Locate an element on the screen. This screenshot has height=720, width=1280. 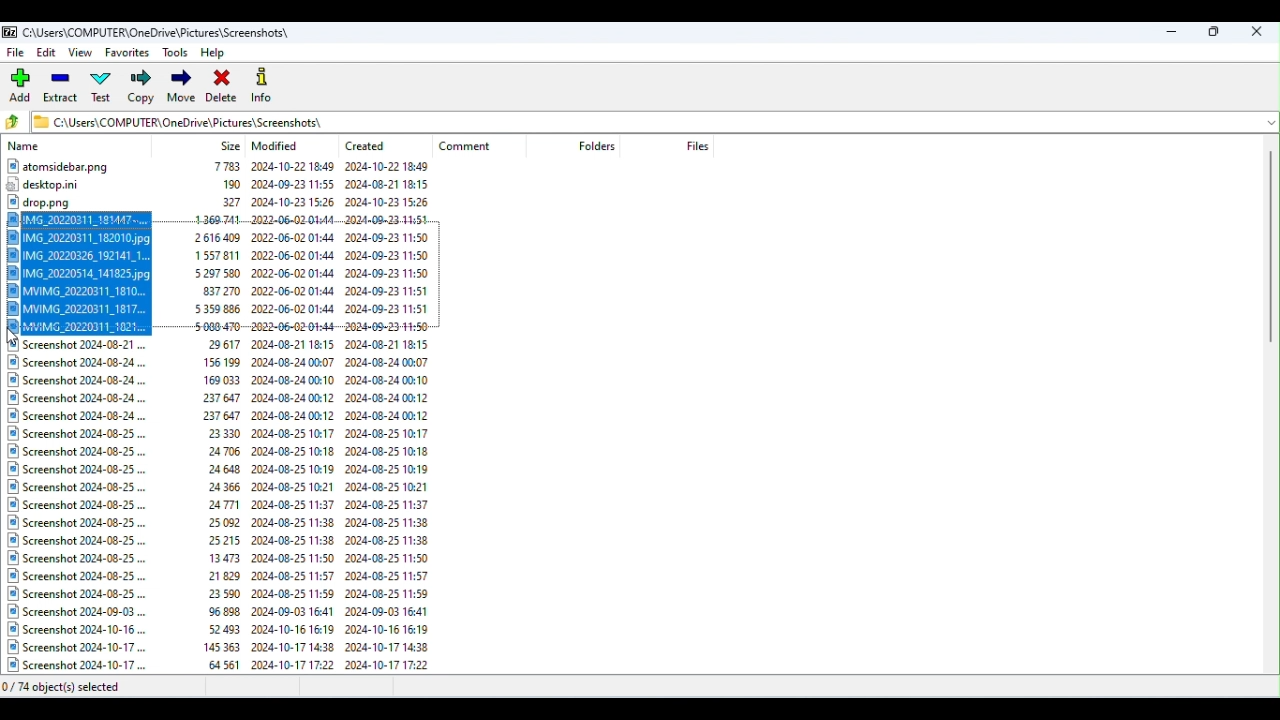
Close is located at coordinates (1259, 31).